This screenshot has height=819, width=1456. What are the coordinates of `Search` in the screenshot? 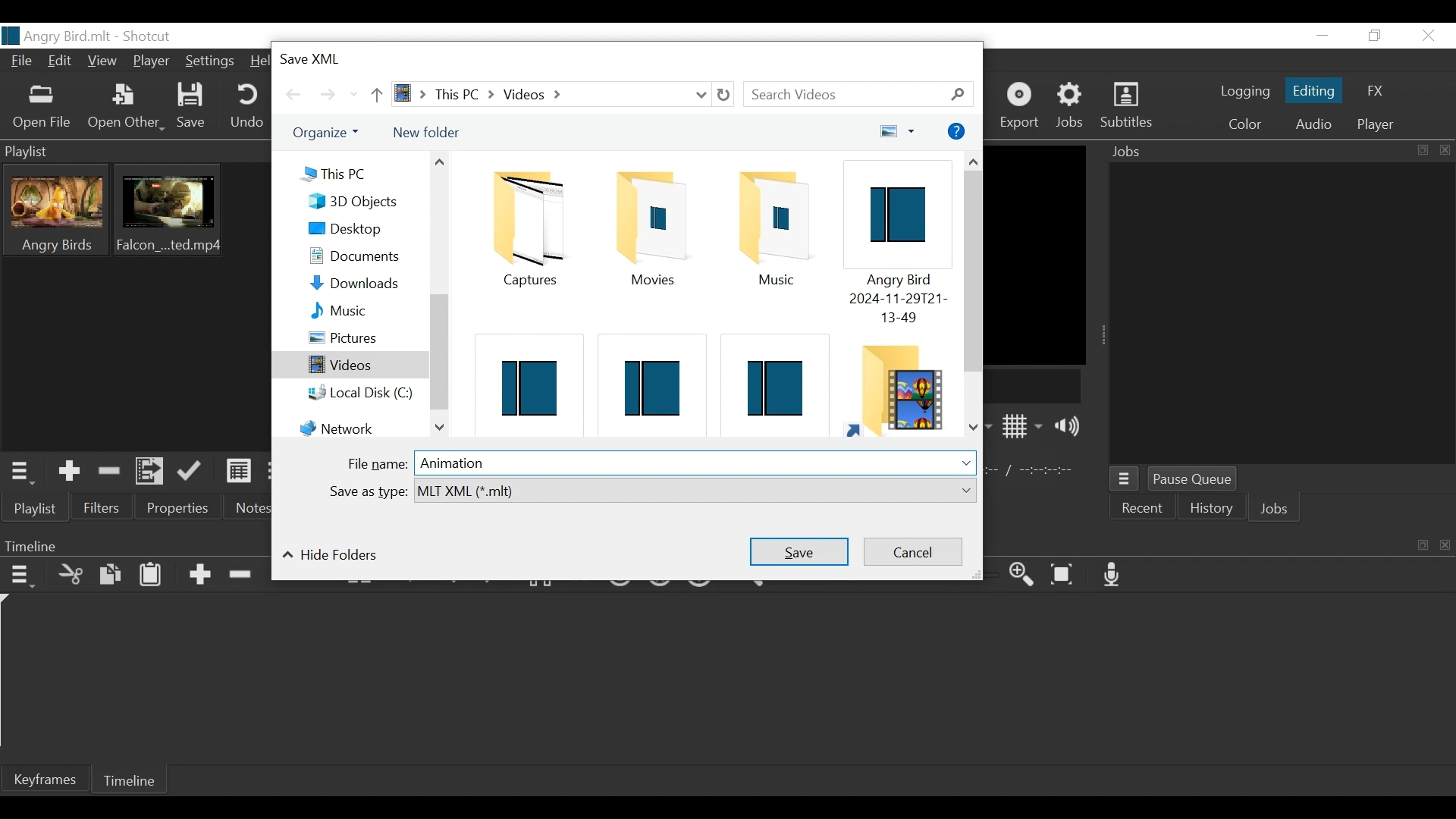 It's located at (858, 95).